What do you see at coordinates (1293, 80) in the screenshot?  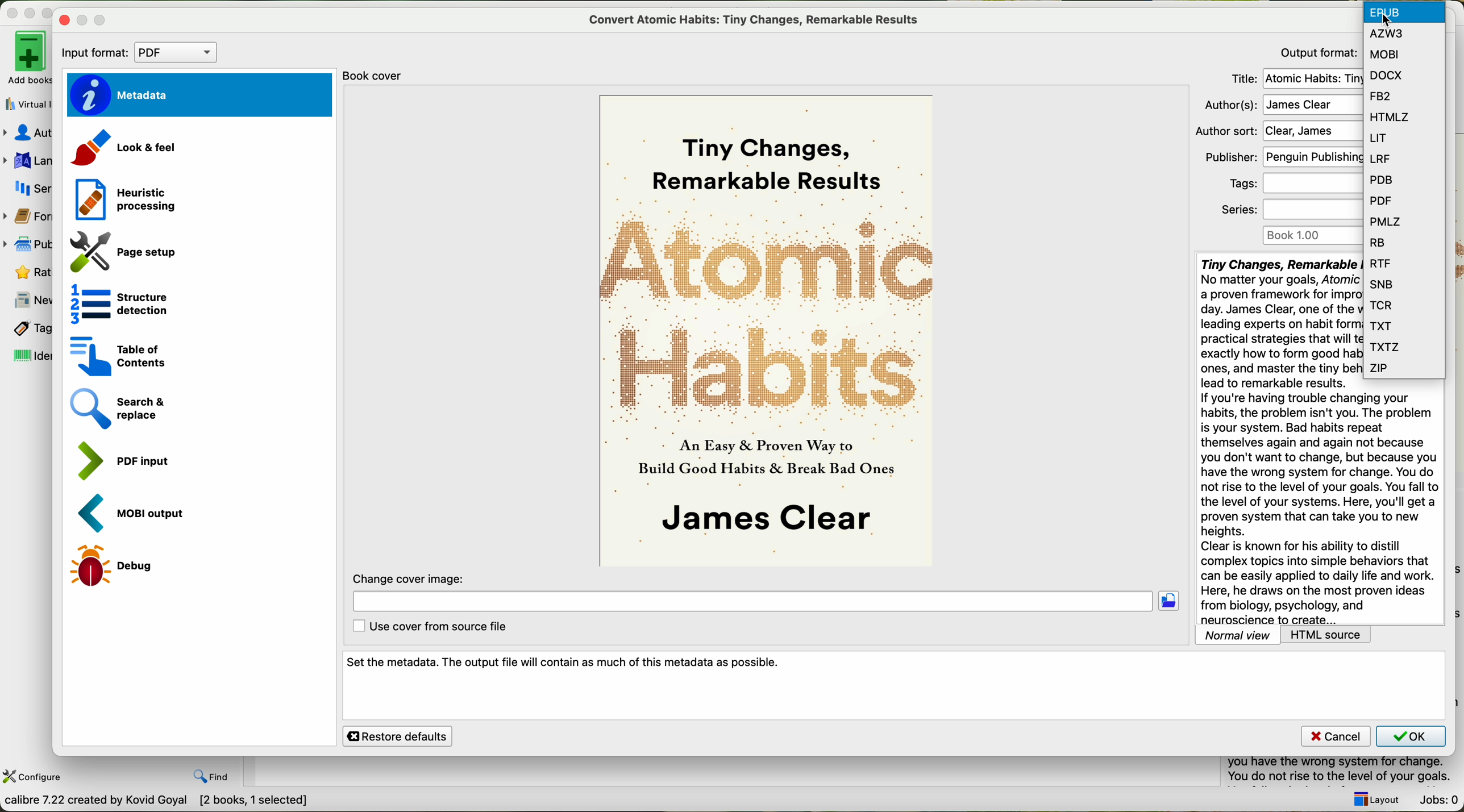 I see `title` at bounding box center [1293, 80].